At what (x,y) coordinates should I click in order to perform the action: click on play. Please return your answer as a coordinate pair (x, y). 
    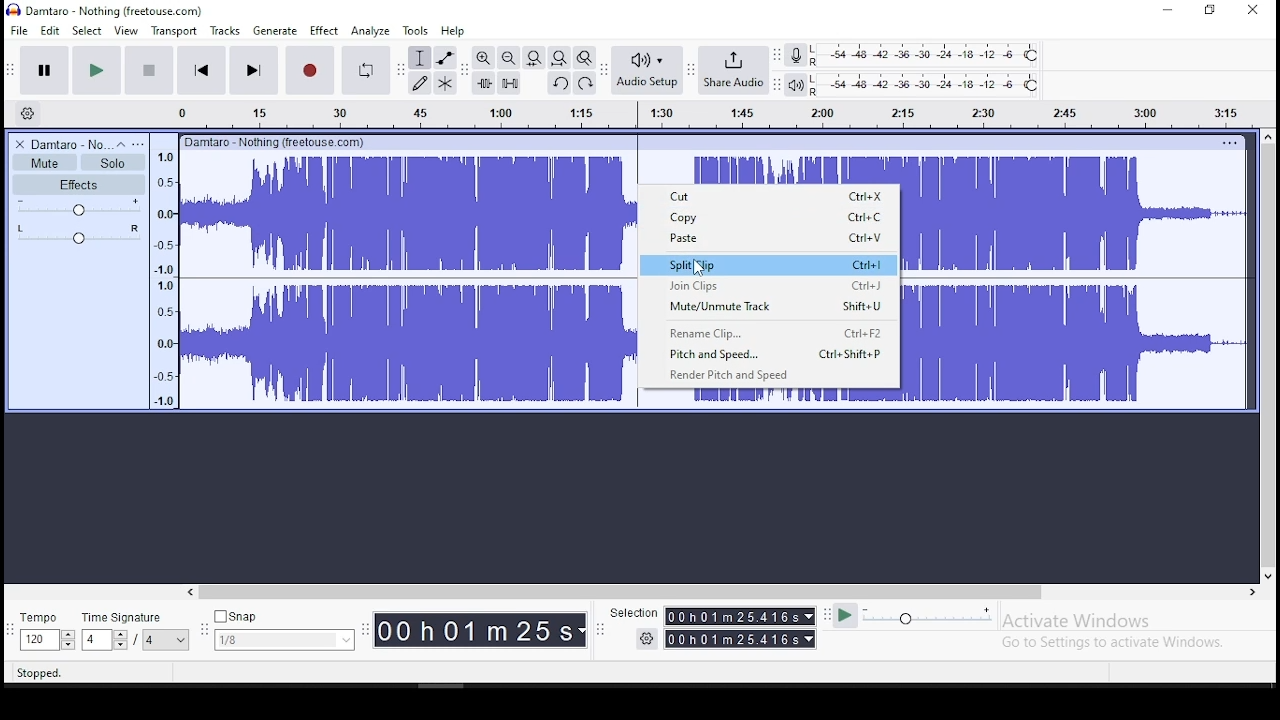
    Looking at the image, I should click on (96, 70).